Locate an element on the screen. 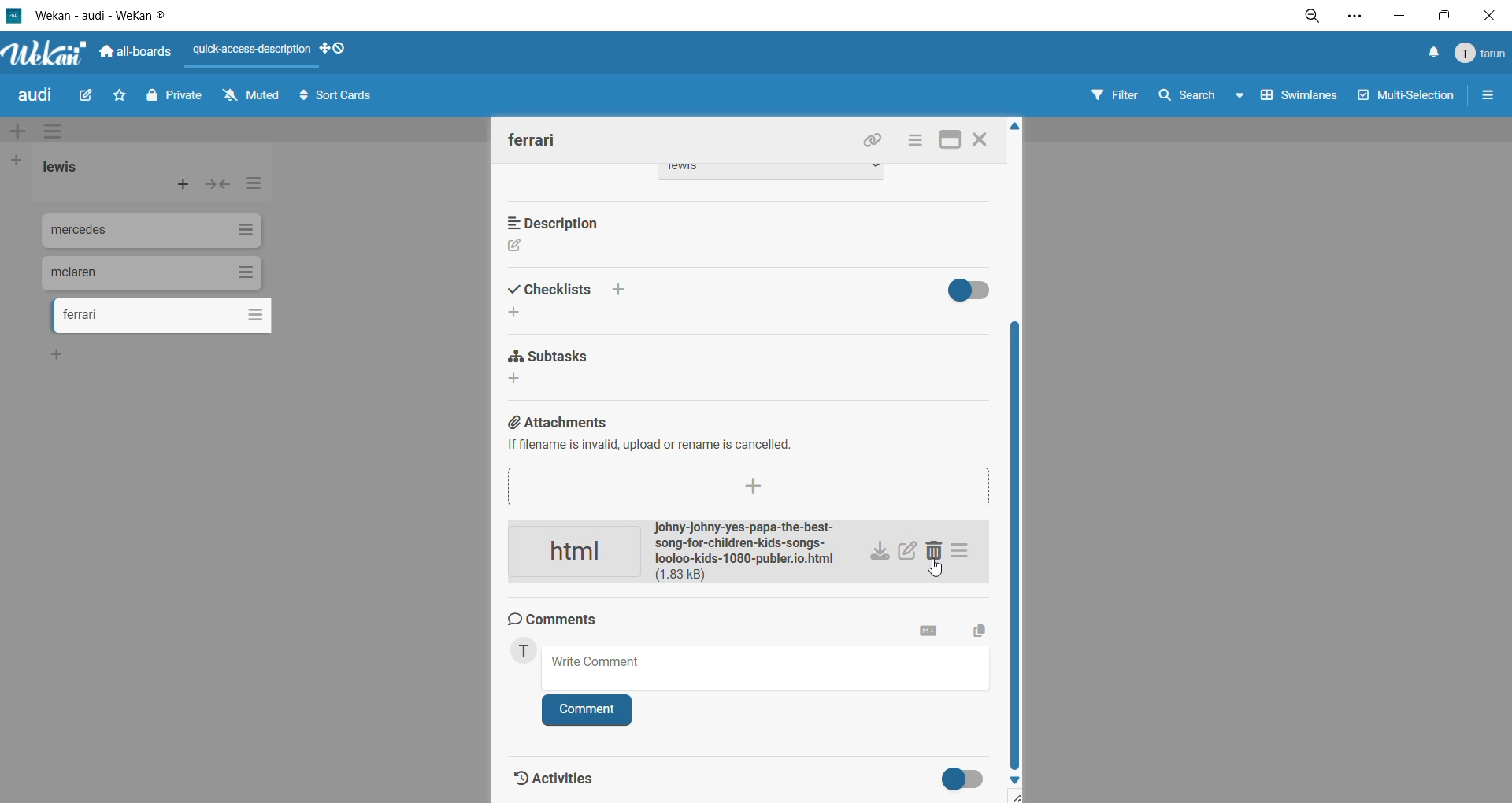  cards is located at coordinates (152, 273).